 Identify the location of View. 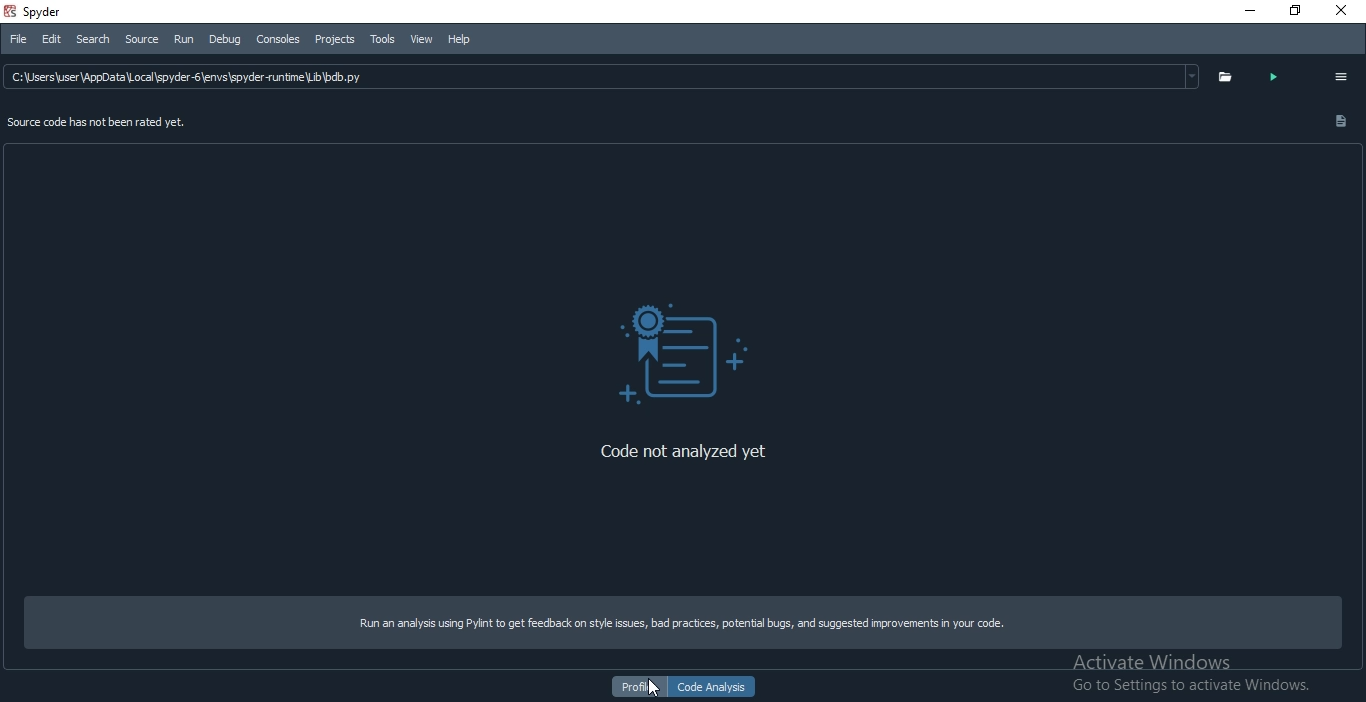
(420, 39).